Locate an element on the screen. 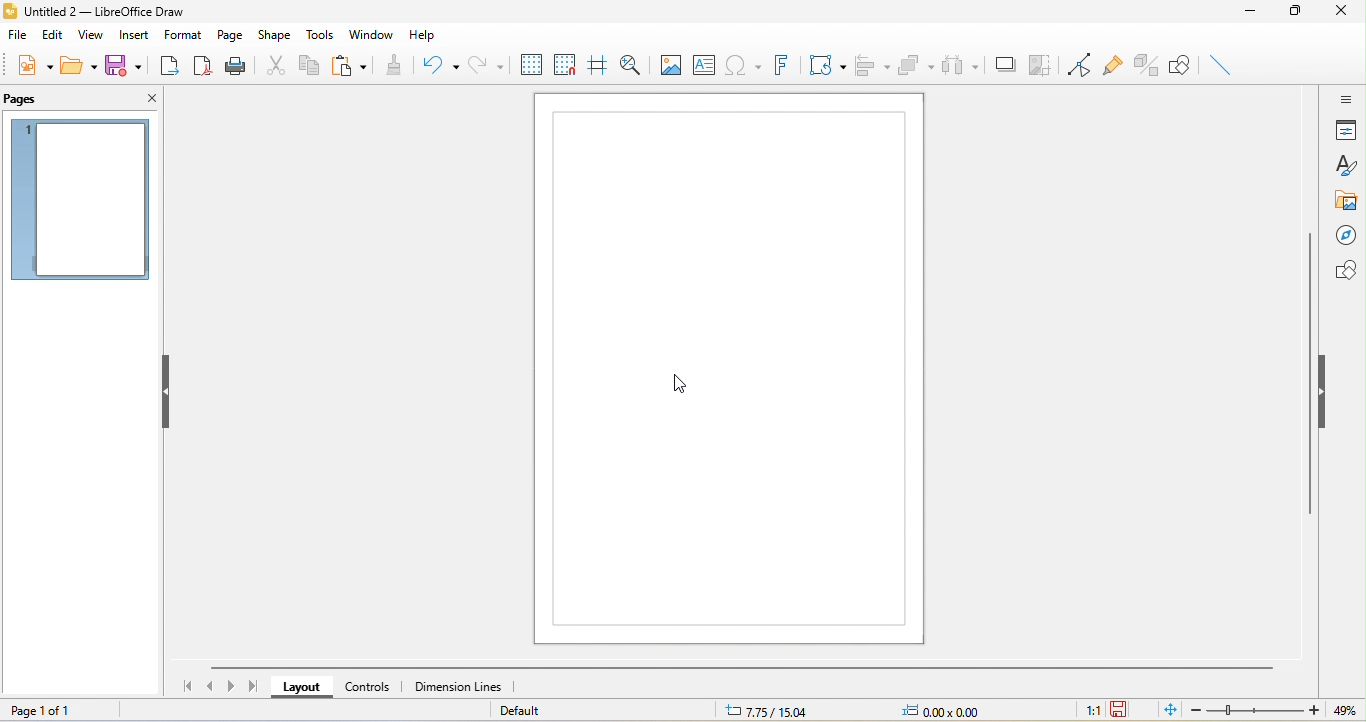 Image resolution: width=1366 pixels, height=722 pixels. properties is located at coordinates (1346, 132).